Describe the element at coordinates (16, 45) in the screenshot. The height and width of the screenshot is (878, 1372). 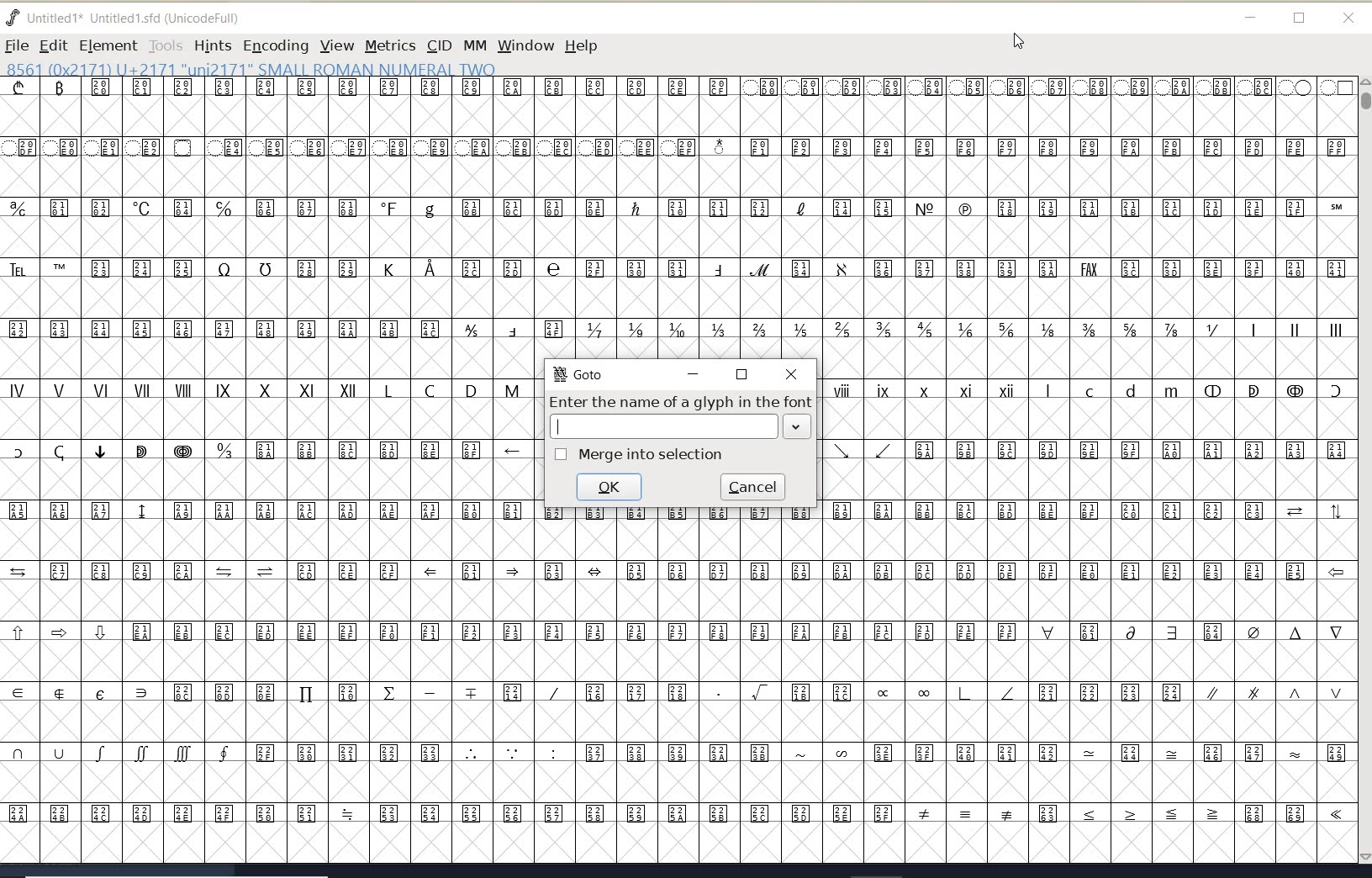
I see `FILE` at that location.